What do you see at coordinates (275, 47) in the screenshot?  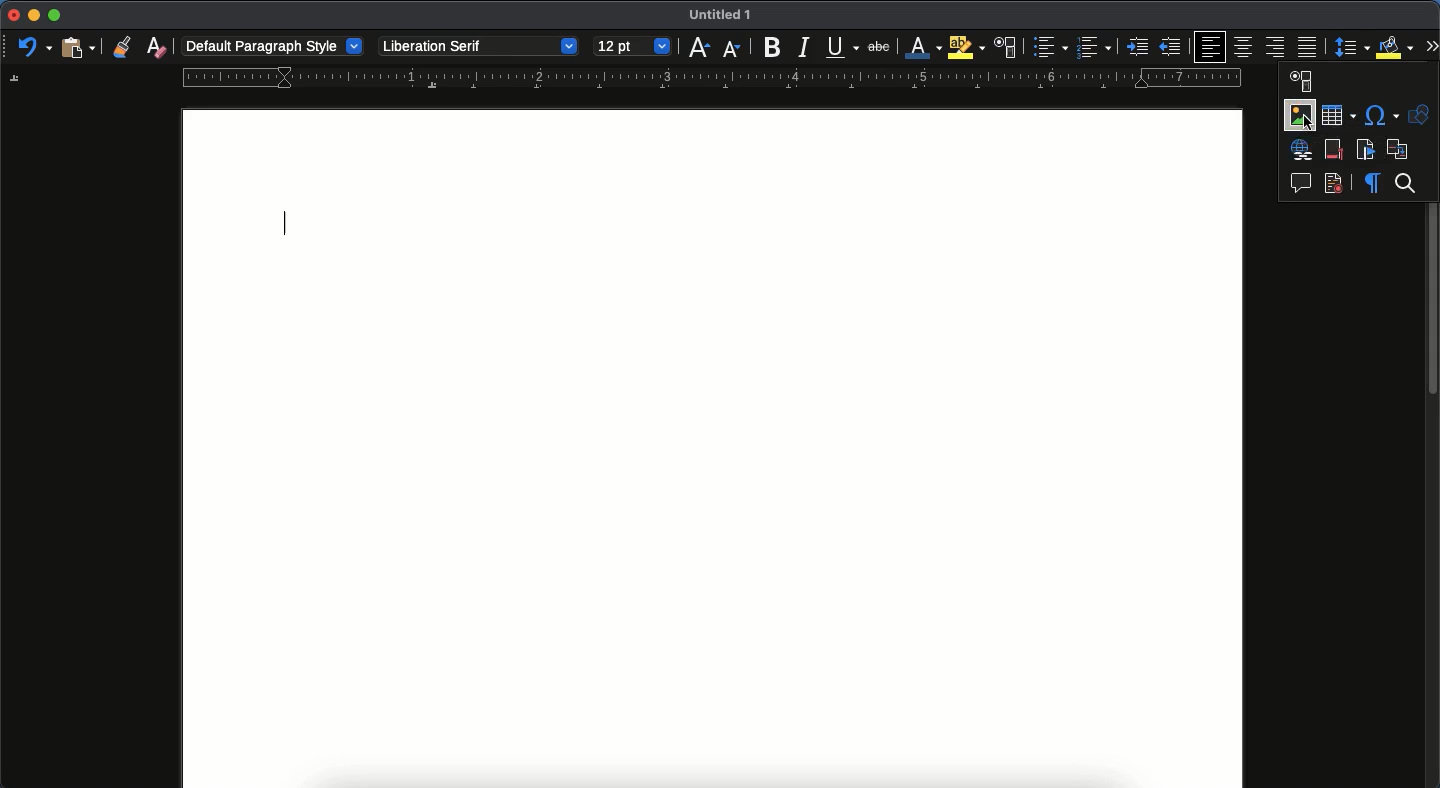 I see `default paragraph style` at bounding box center [275, 47].